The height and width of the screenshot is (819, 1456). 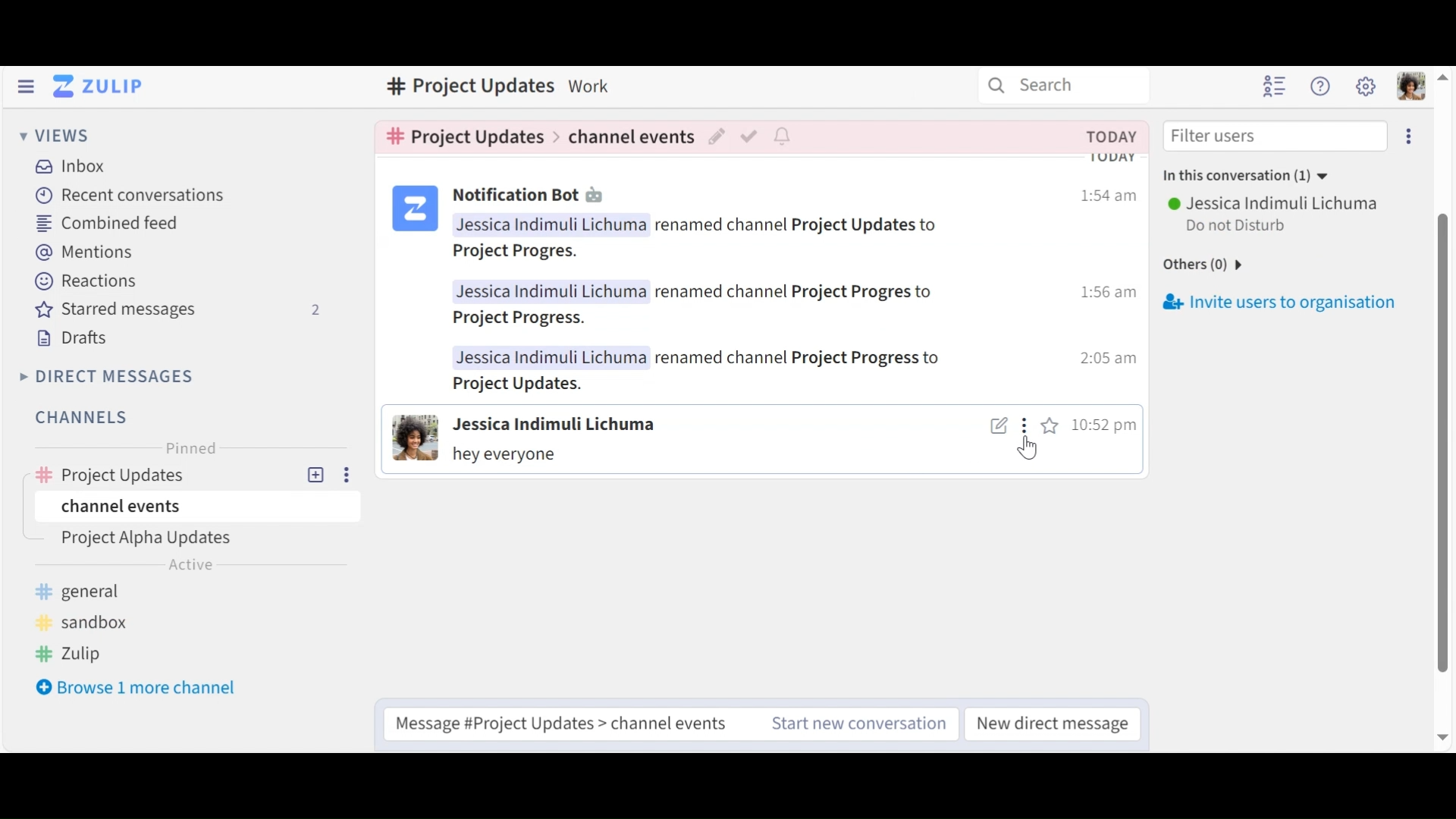 What do you see at coordinates (1282, 302) in the screenshot?
I see `Invite users to organisation` at bounding box center [1282, 302].